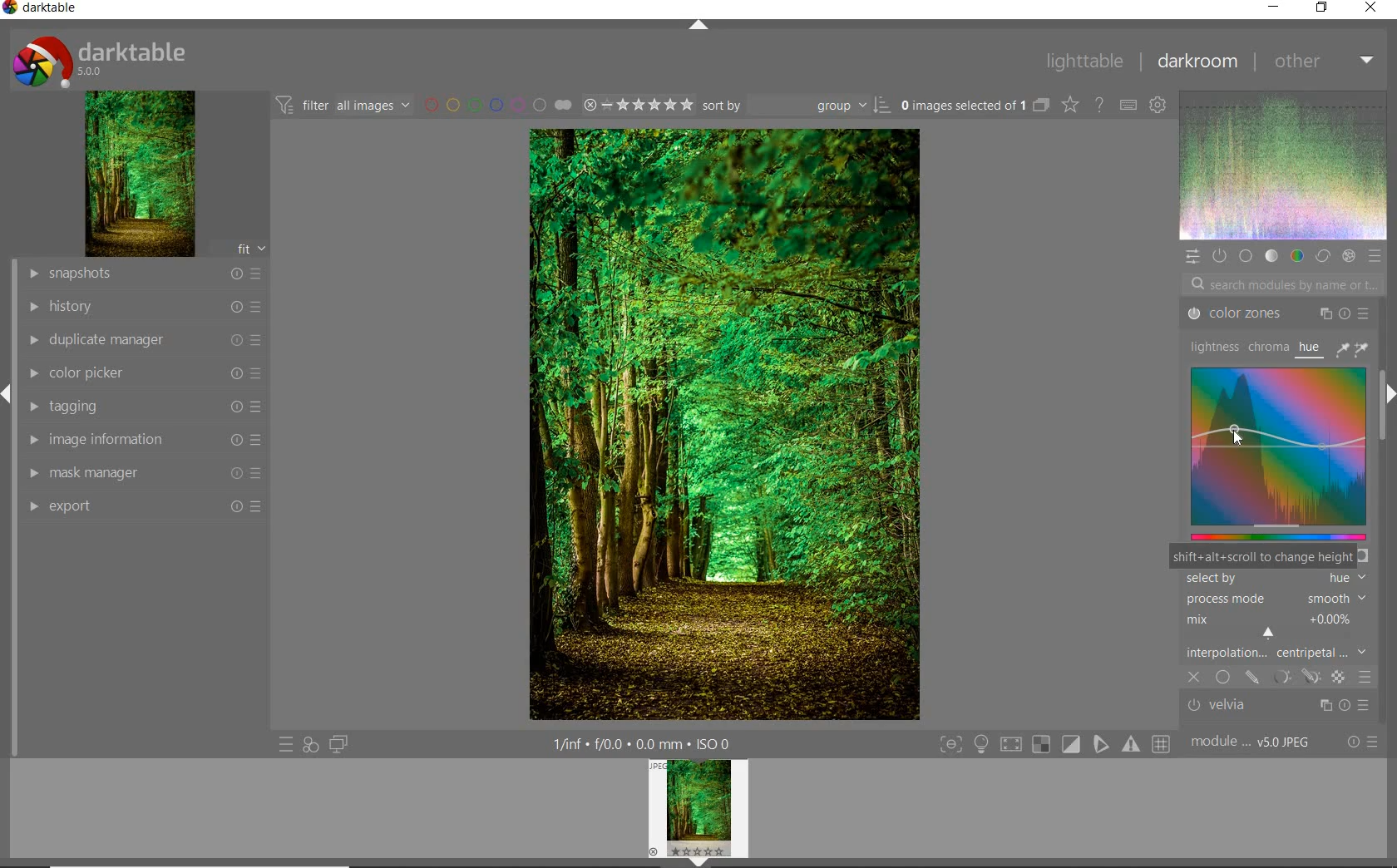 This screenshot has height=868, width=1397. I want to click on TAGGING, so click(143, 407).